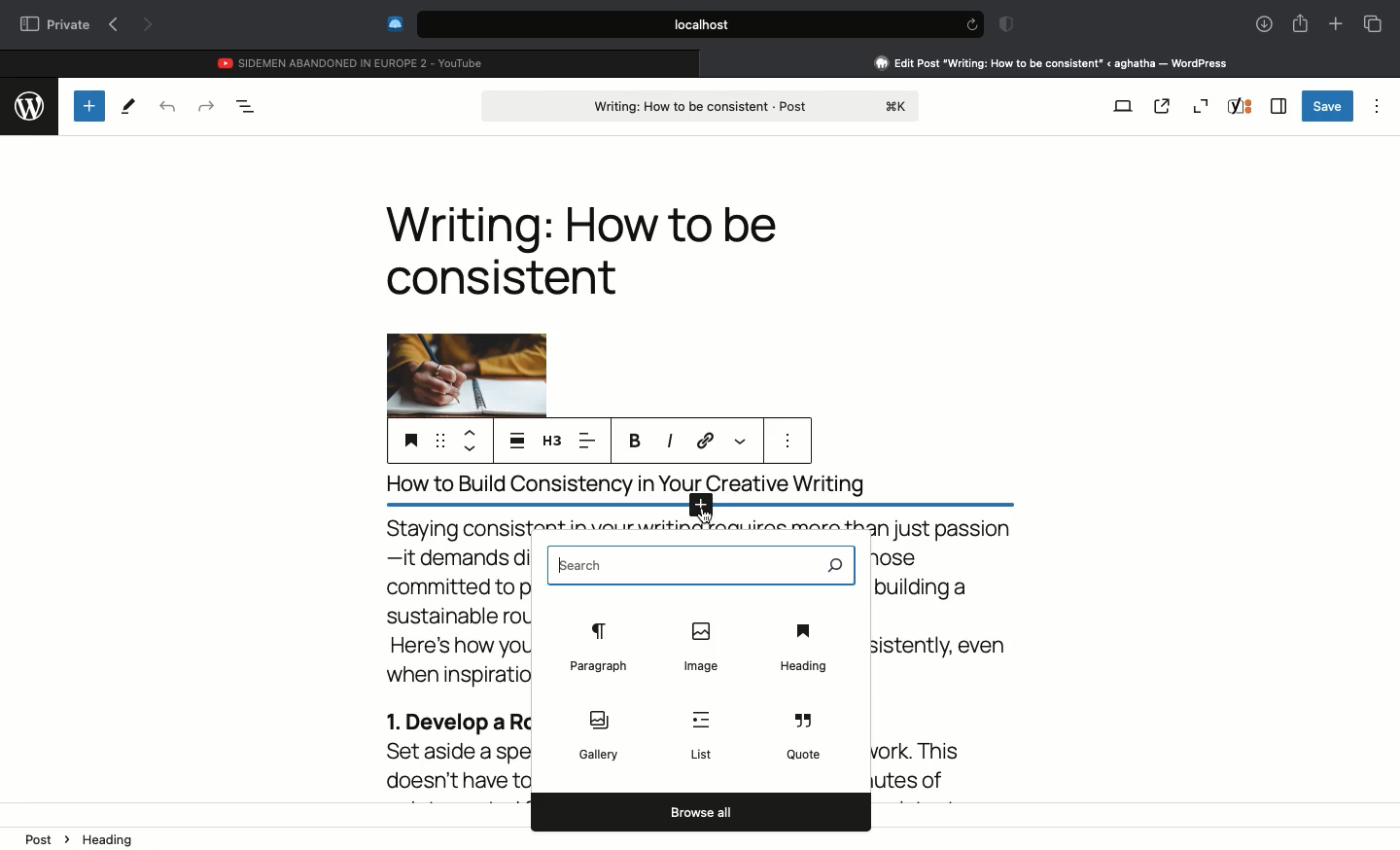  What do you see at coordinates (167, 106) in the screenshot?
I see `Undo` at bounding box center [167, 106].